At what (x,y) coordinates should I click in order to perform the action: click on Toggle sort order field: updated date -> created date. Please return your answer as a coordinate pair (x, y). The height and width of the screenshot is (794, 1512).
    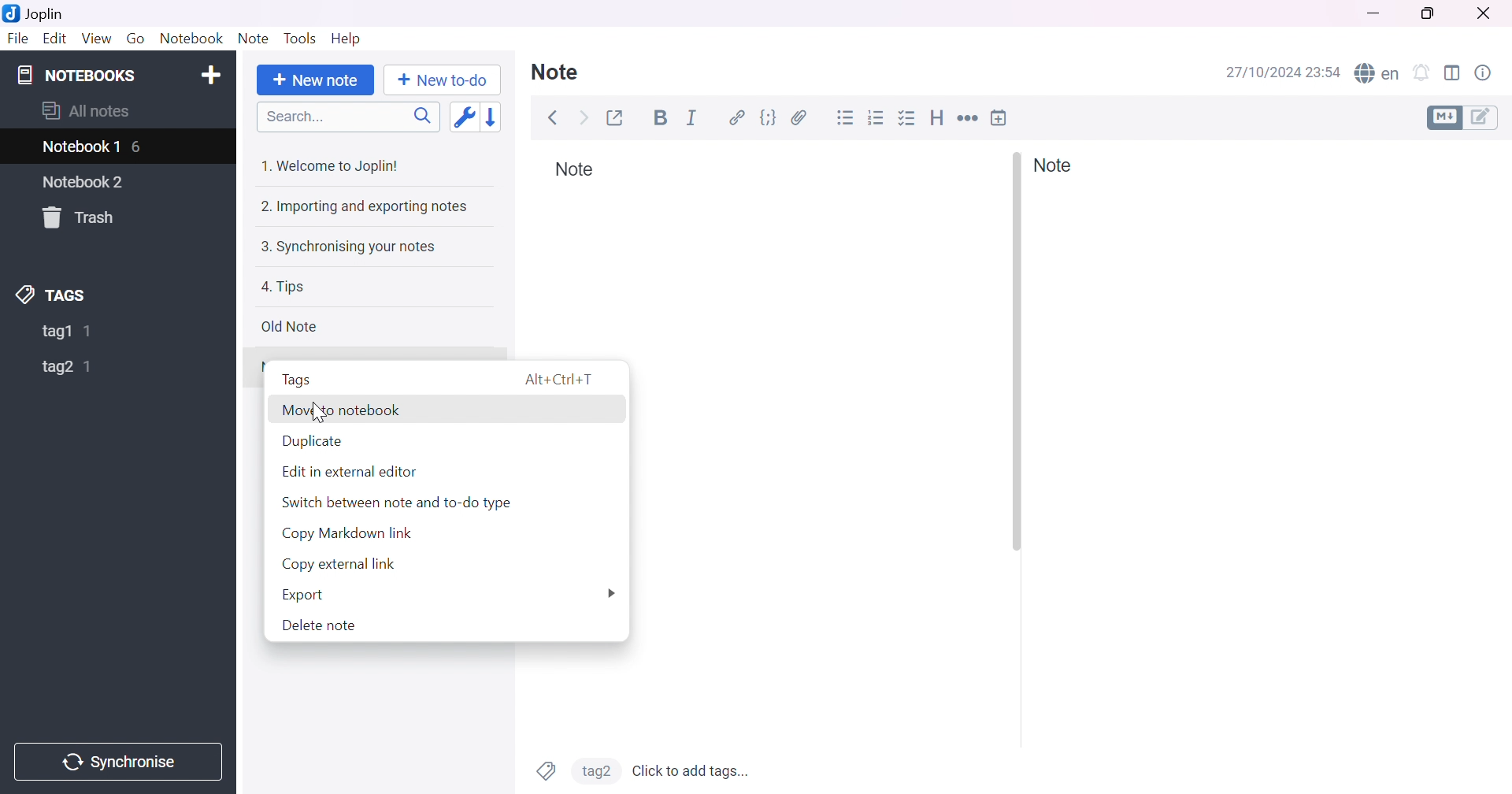
    Looking at the image, I should click on (462, 119).